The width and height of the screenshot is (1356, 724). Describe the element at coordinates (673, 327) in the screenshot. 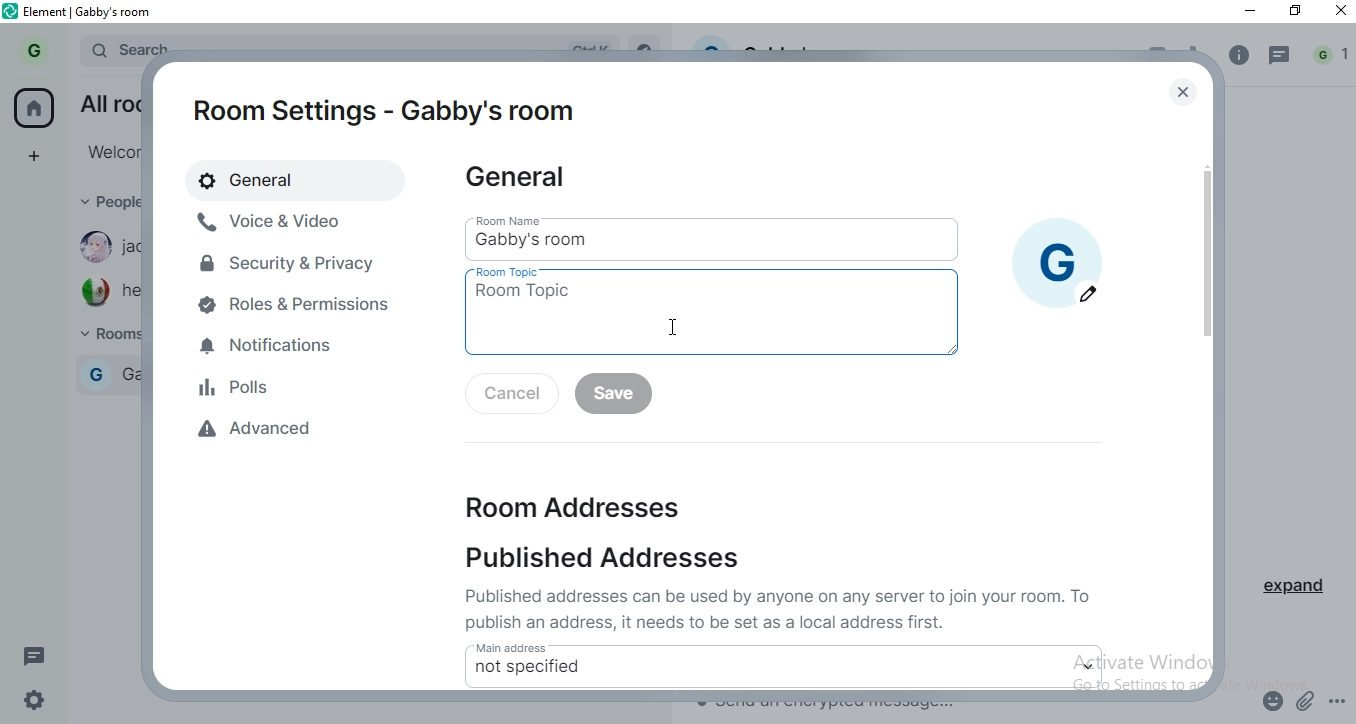

I see `text cursor` at that location.